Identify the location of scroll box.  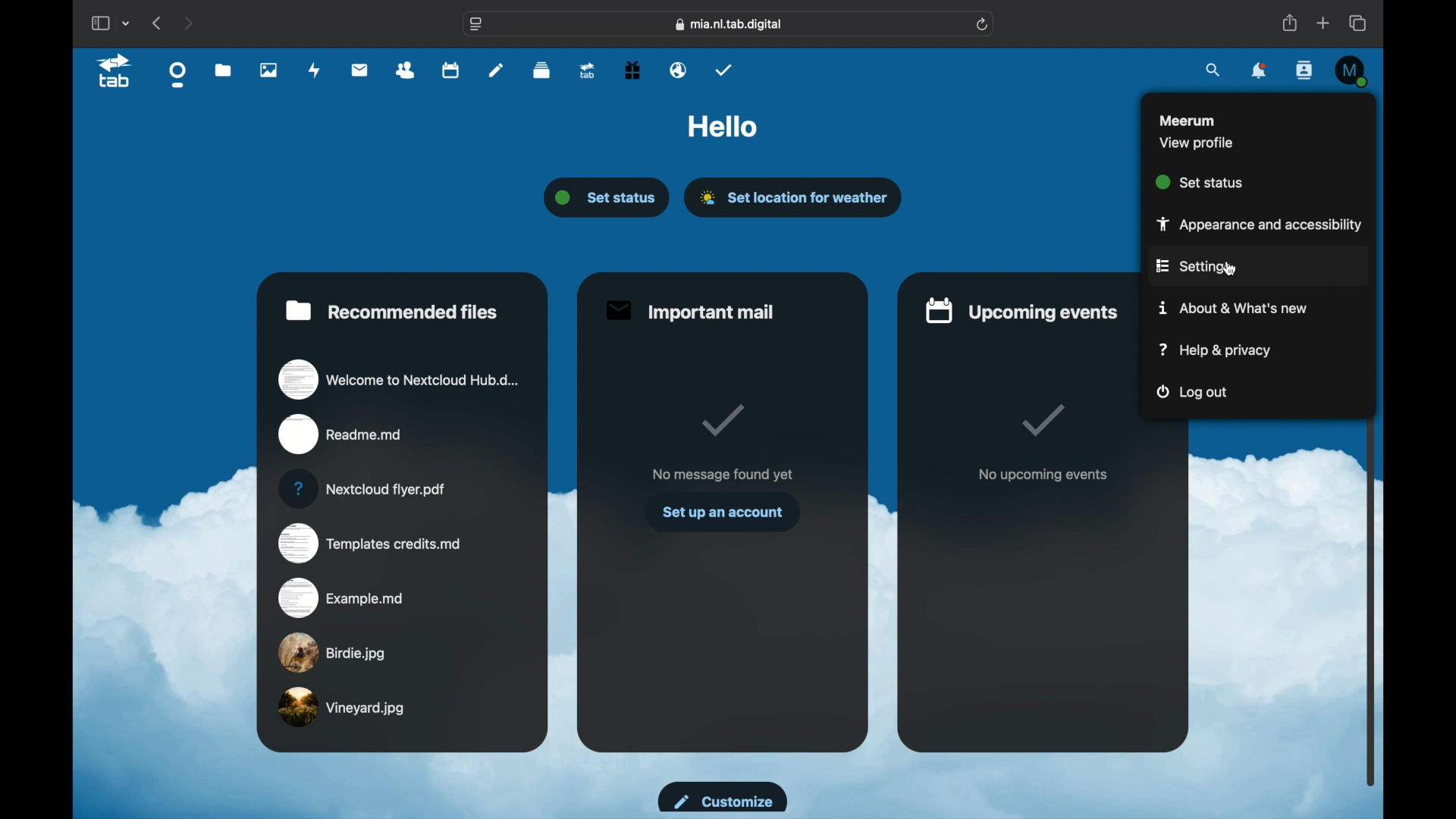
(1374, 440).